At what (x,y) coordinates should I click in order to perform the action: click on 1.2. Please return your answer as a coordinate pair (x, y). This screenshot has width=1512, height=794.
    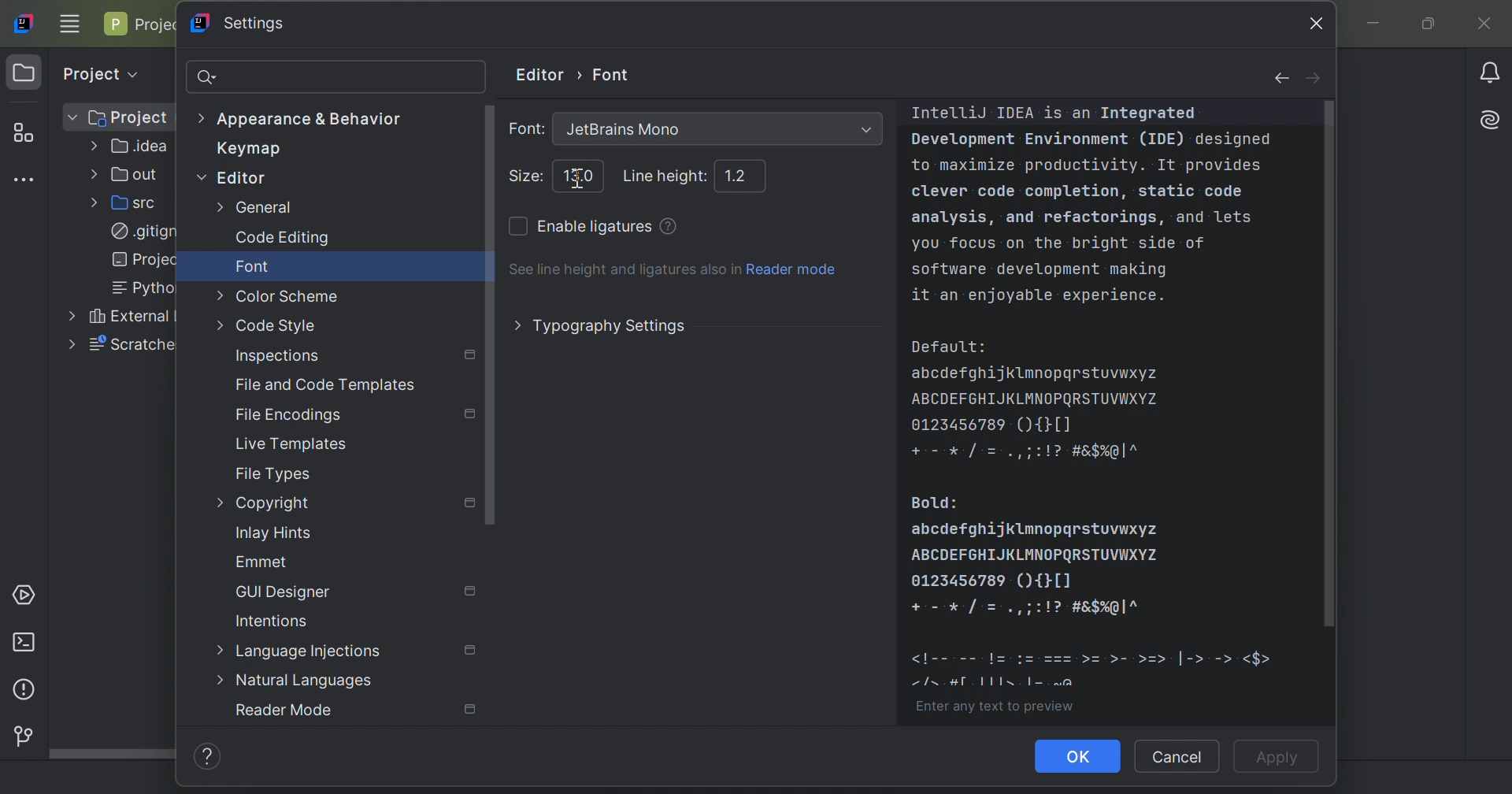
    Looking at the image, I should click on (737, 174).